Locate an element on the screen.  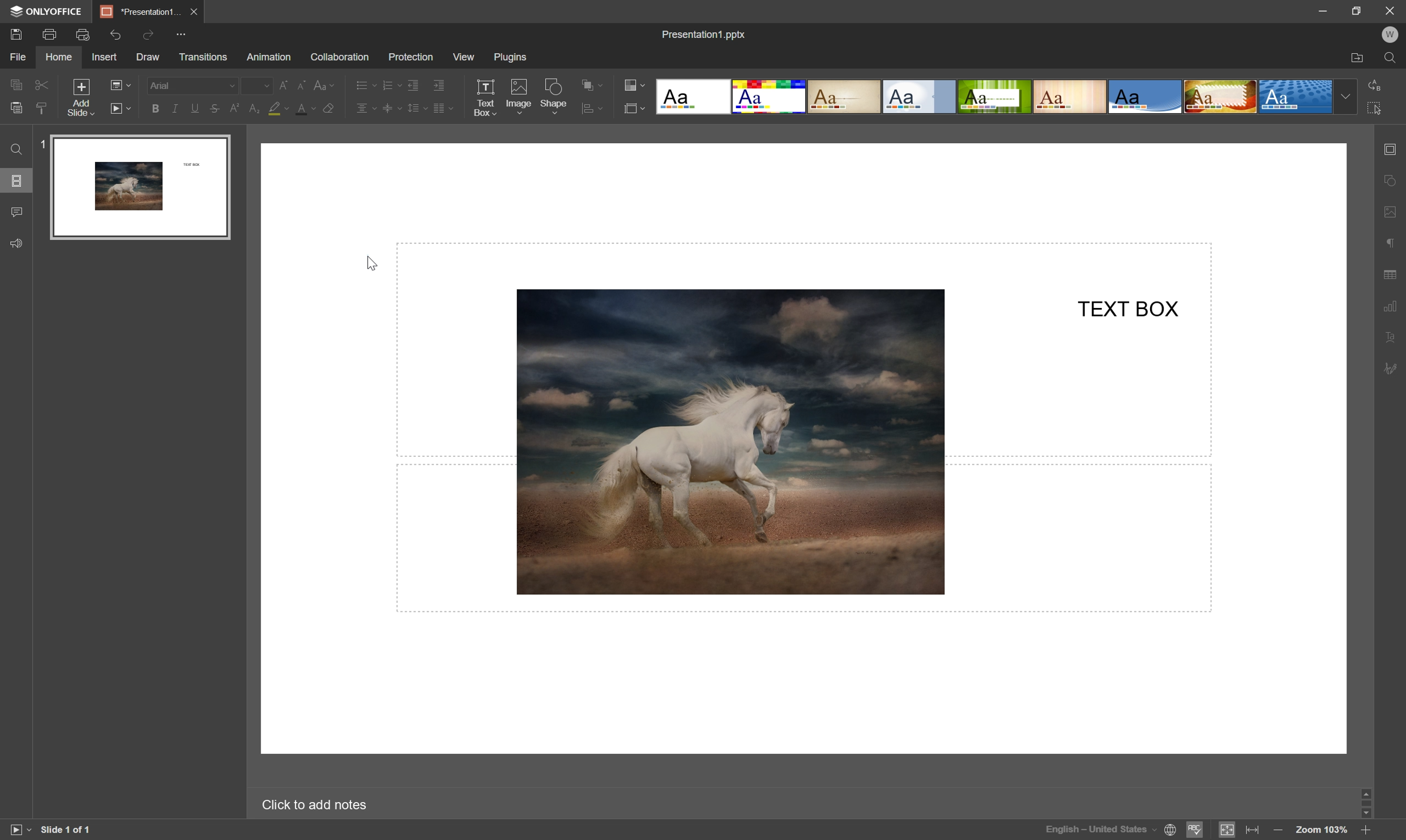
undo is located at coordinates (115, 36).